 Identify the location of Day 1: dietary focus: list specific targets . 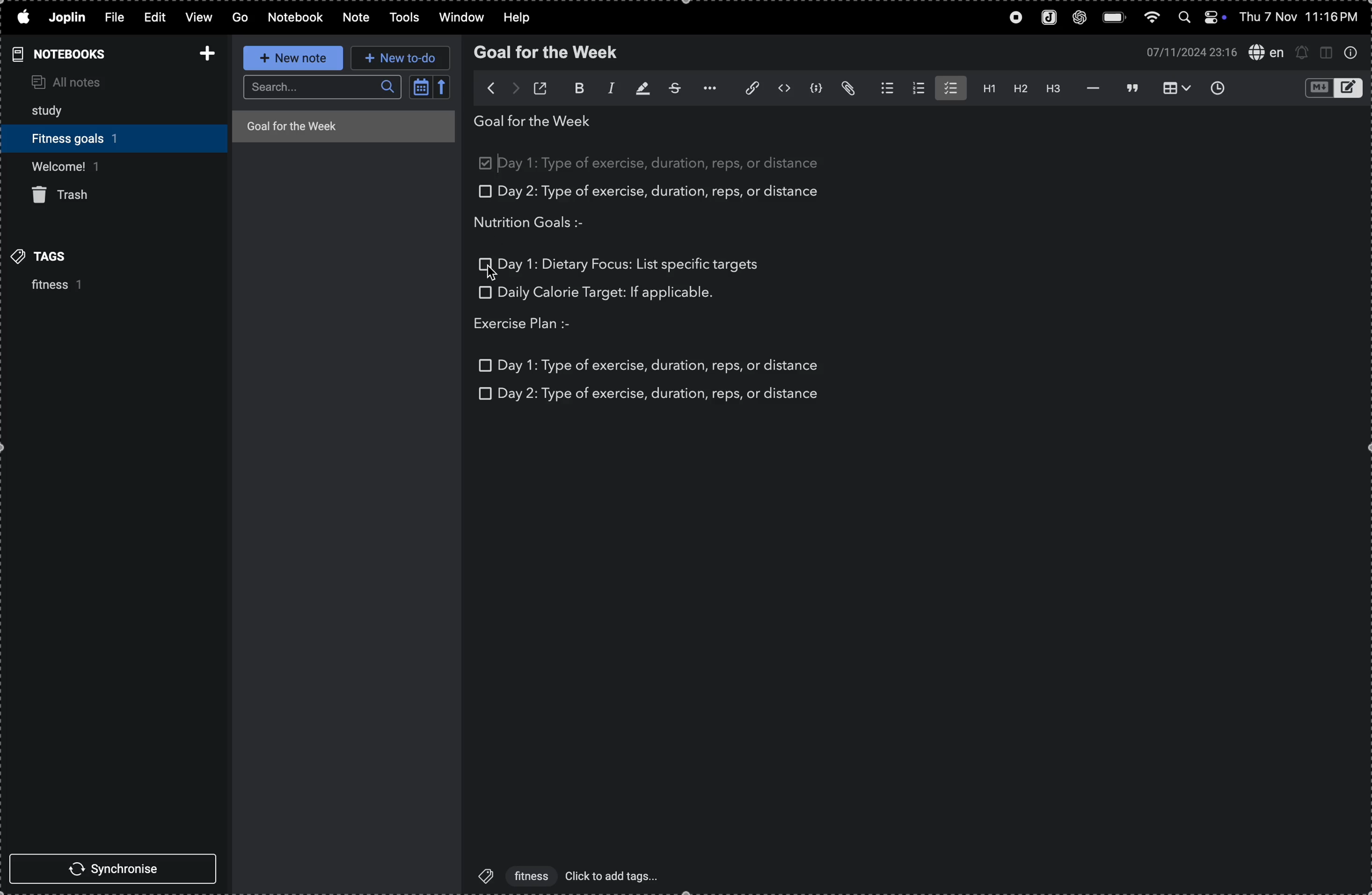
(630, 263).